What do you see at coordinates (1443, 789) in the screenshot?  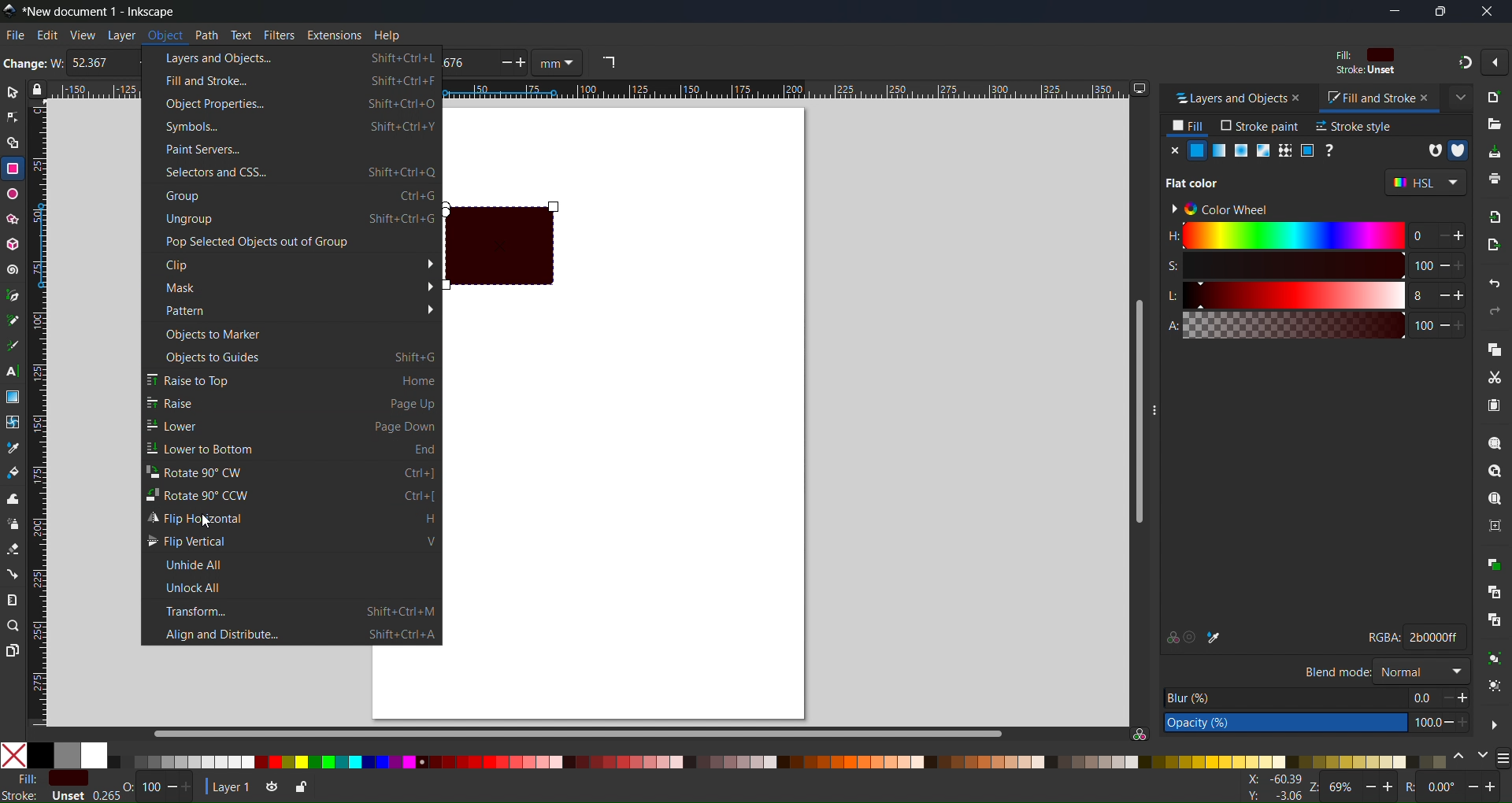 I see ` 0.00 degrees` at bounding box center [1443, 789].